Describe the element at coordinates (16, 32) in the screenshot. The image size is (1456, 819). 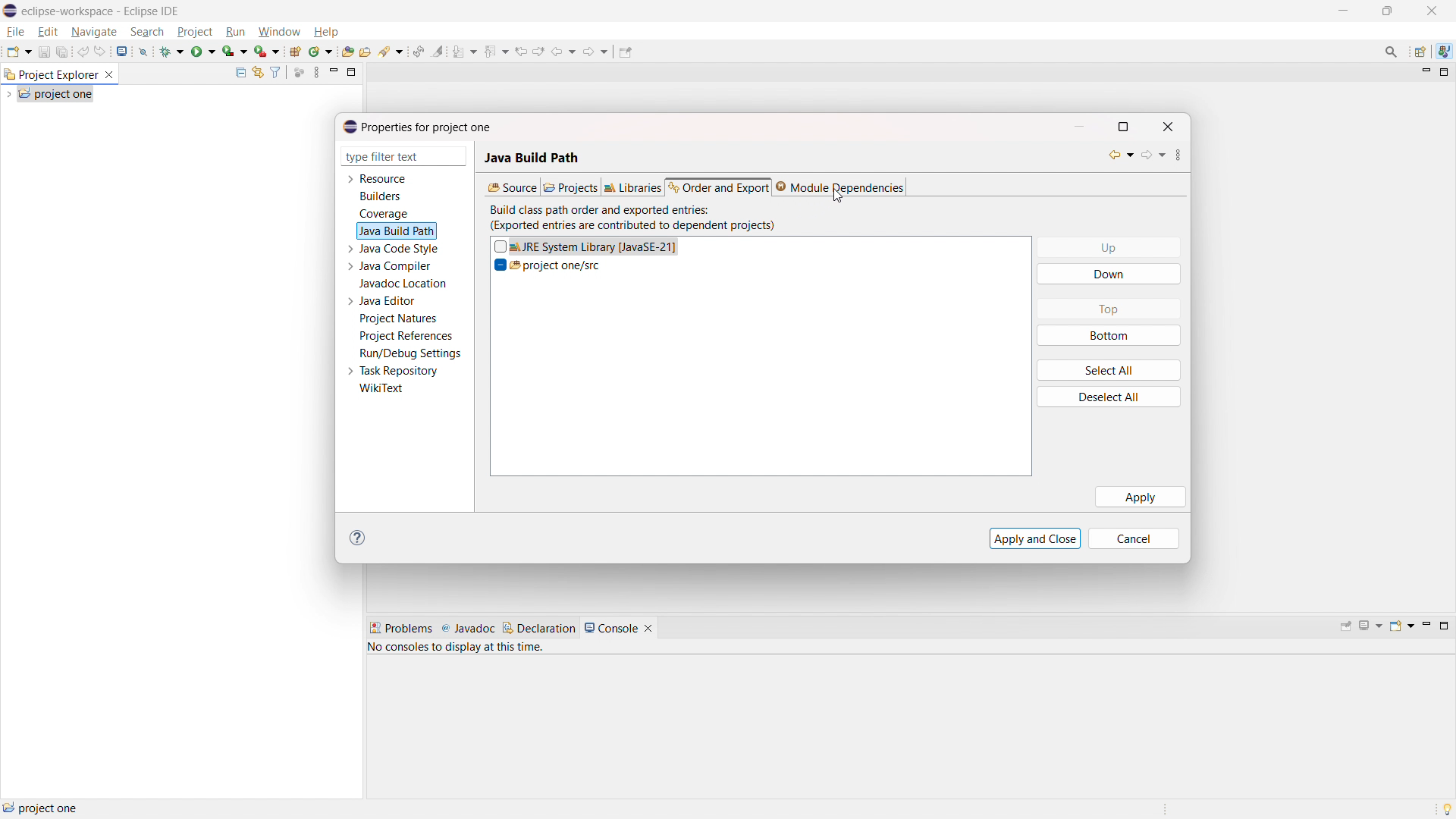
I see `file` at that location.